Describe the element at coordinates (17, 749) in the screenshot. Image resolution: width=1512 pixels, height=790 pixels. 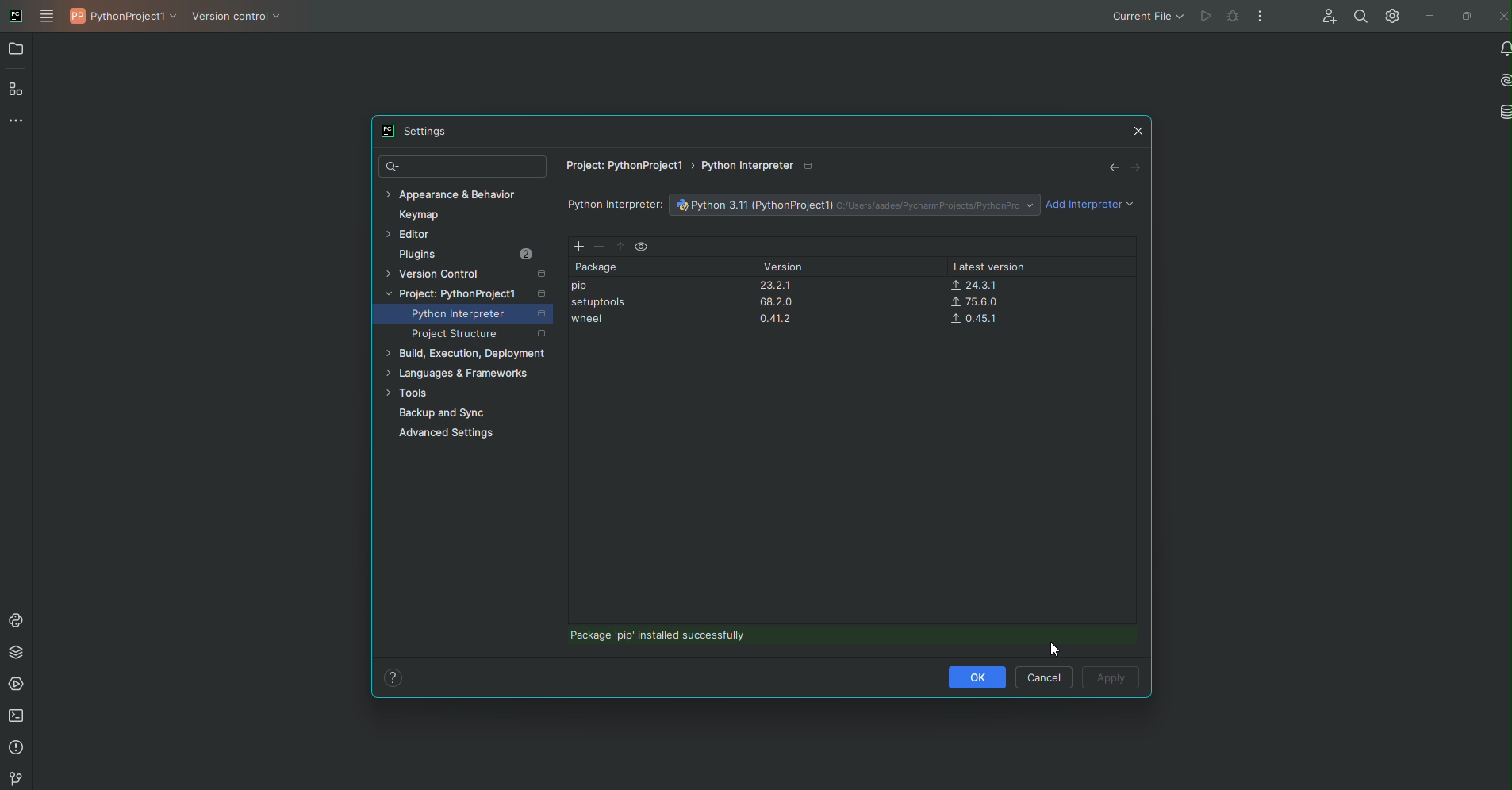
I see `Problems` at that location.